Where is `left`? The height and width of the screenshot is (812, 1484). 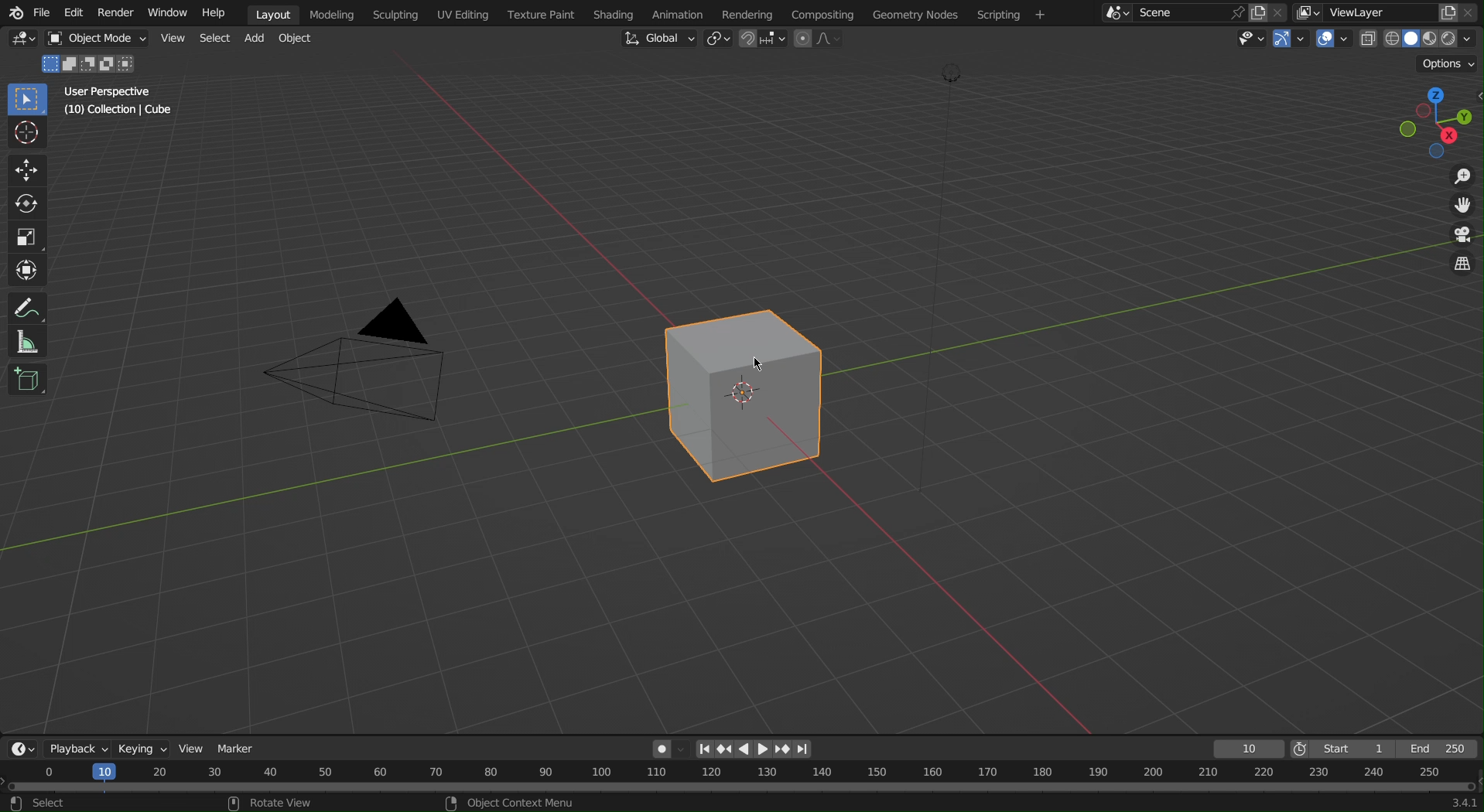 left is located at coordinates (745, 749).